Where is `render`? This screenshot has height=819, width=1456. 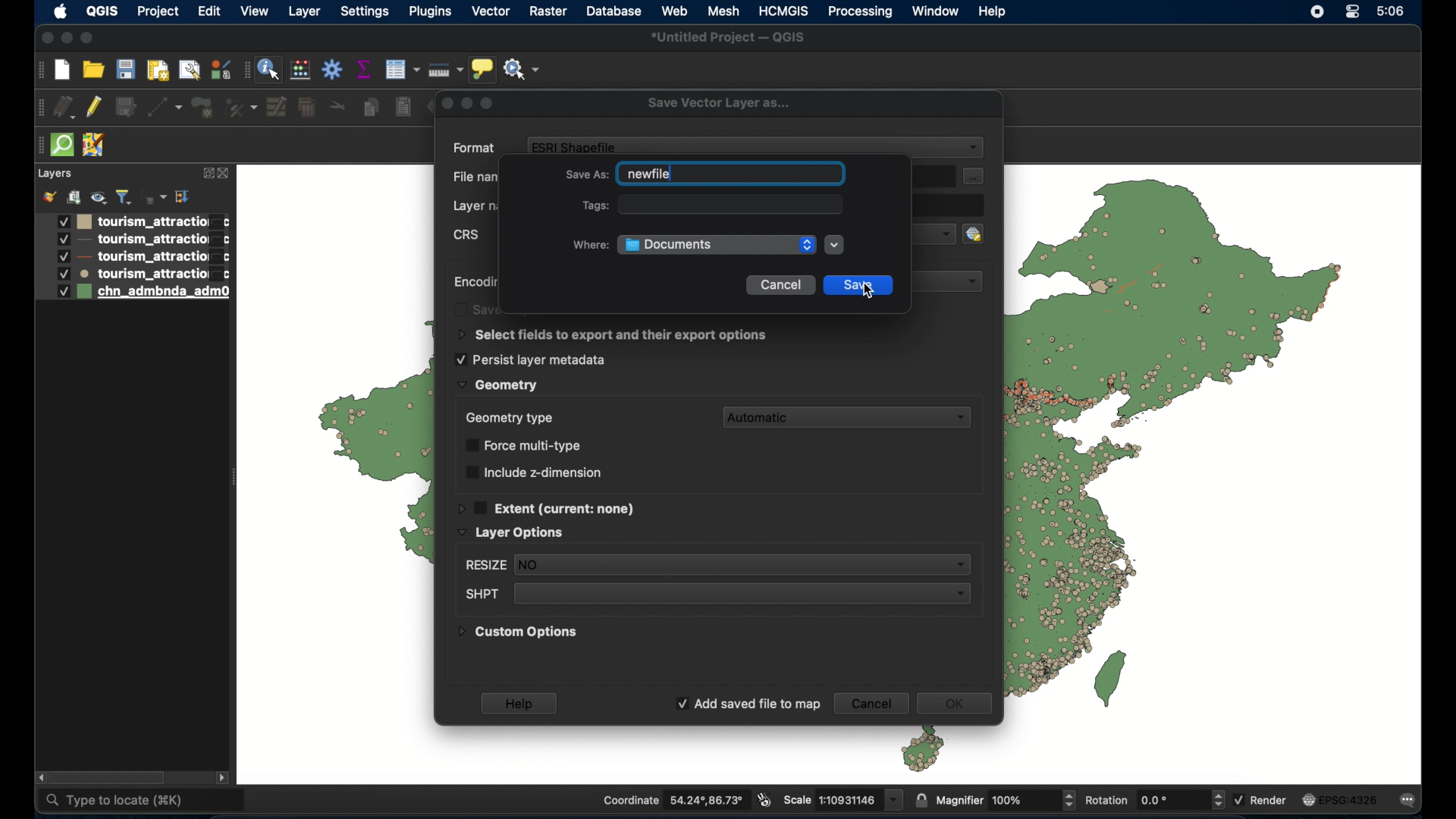
render is located at coordinates (1261, 801).